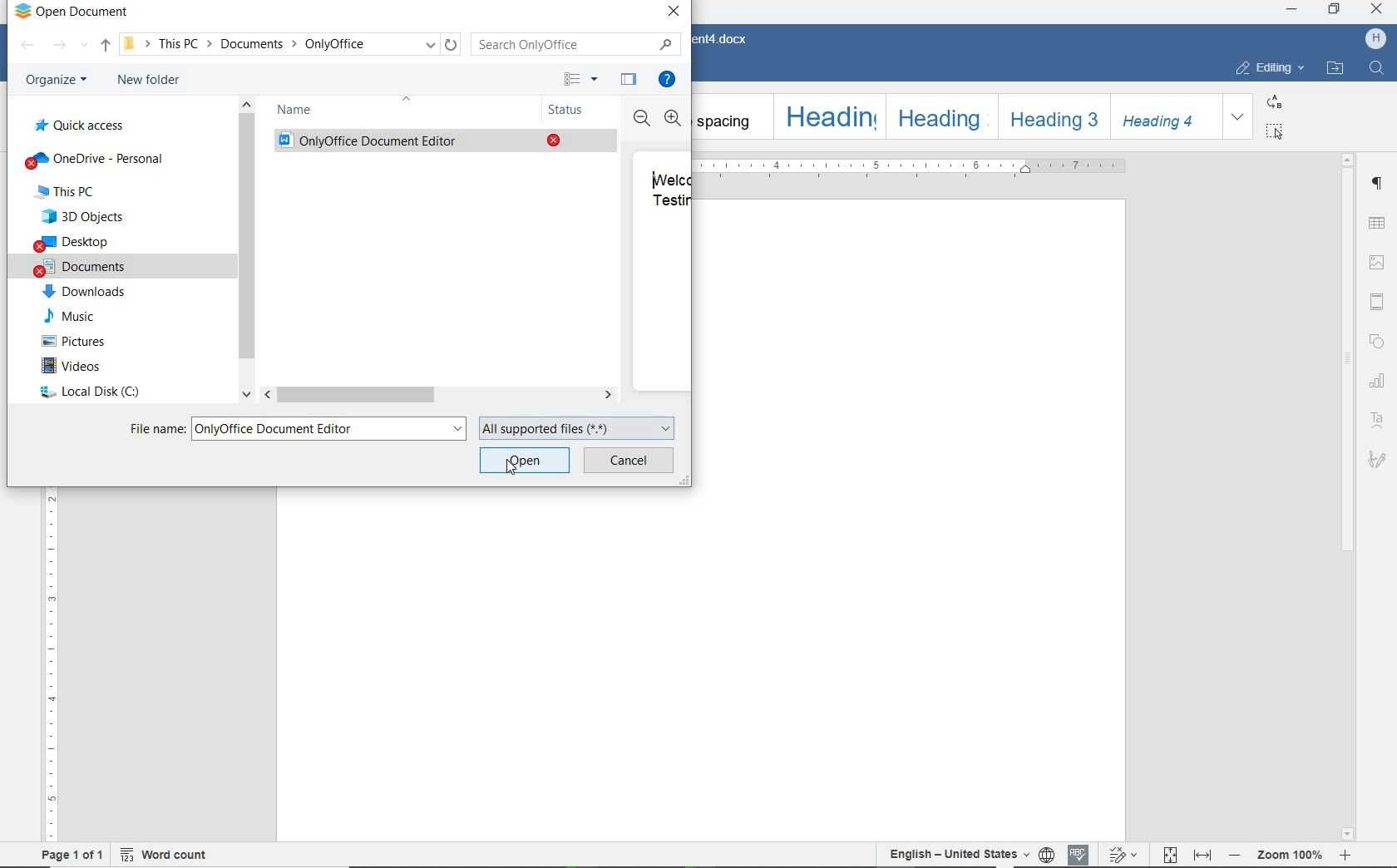  I want to click on new folder, so click(147, 81).